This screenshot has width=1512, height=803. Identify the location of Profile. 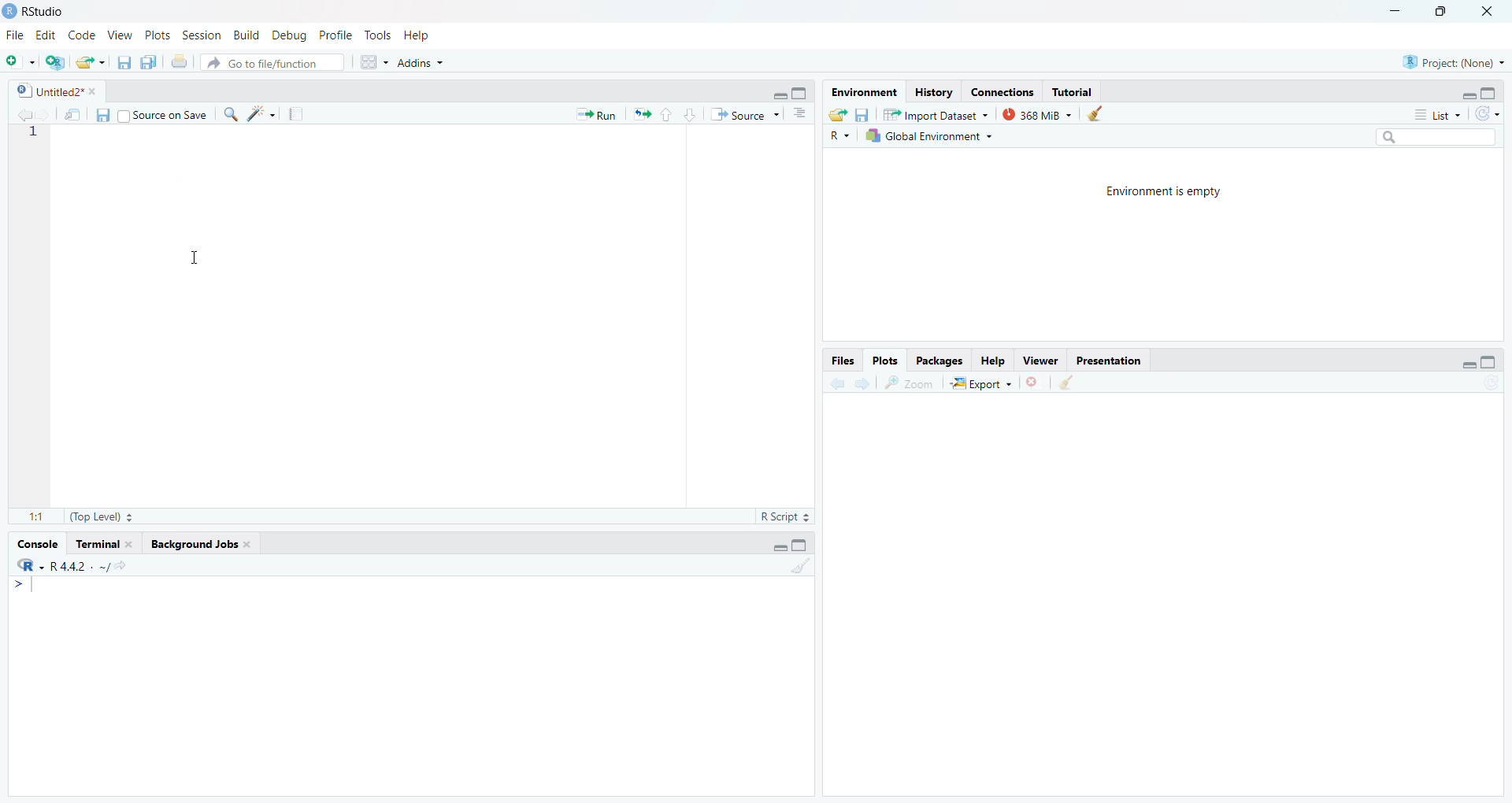
(335, 33).